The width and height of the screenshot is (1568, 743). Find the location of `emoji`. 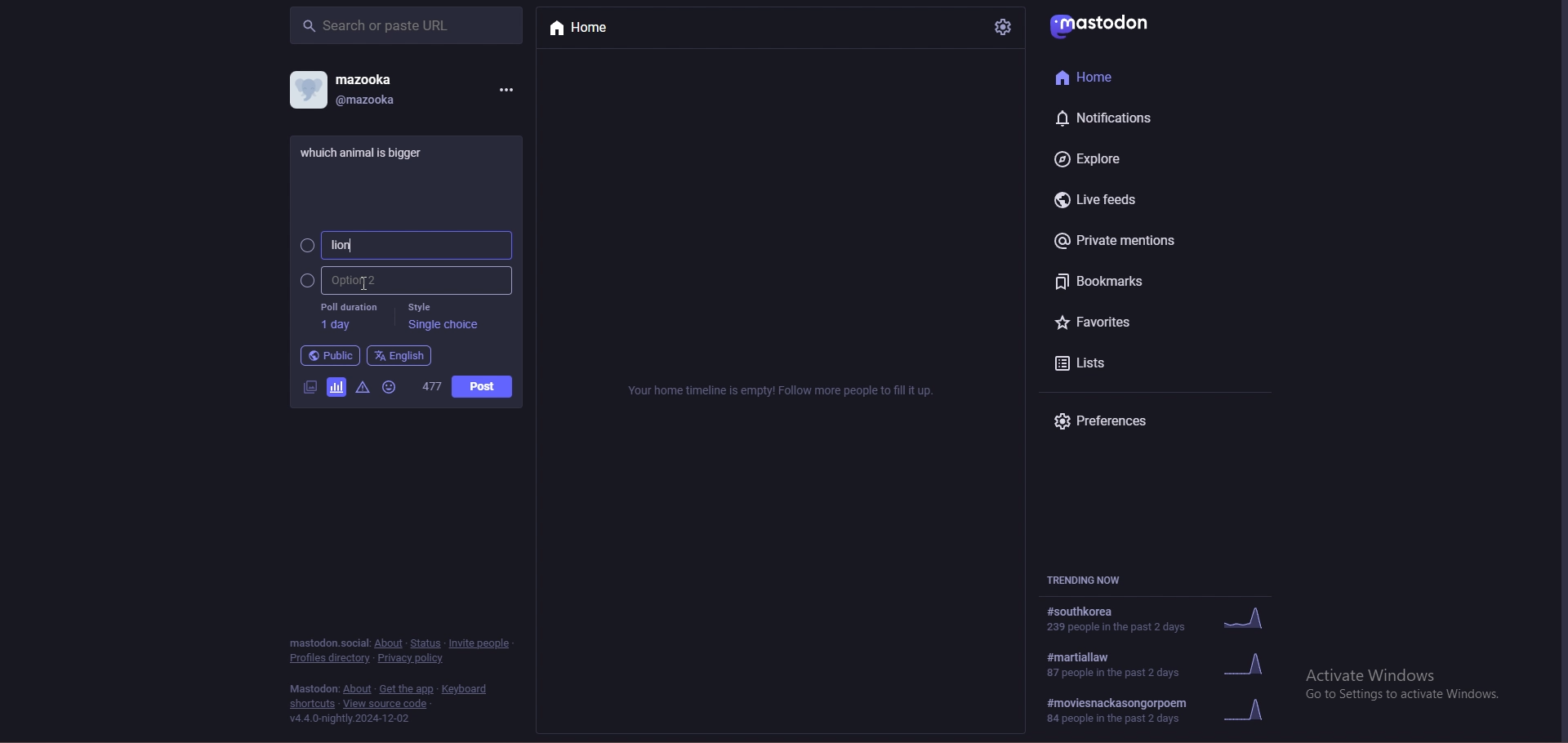

emoji is located at coordinates (393, 387).